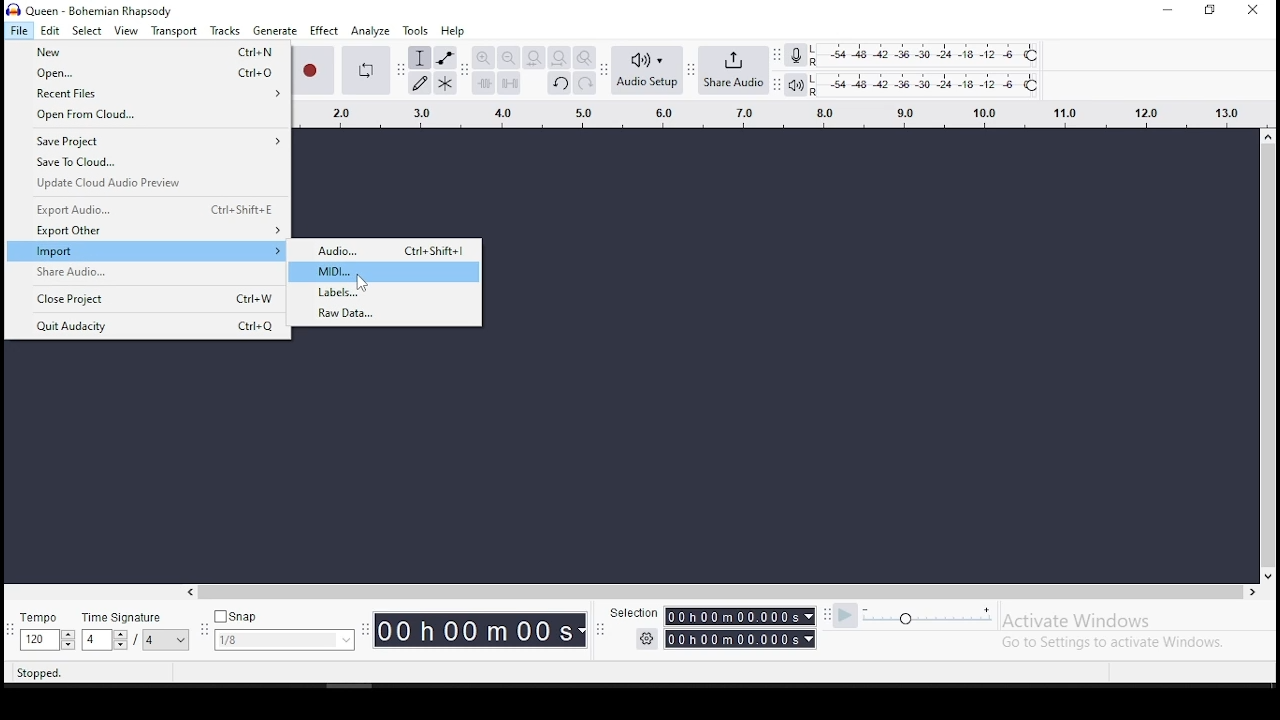 Image resolution: width=1280 pixels, height=720 pixels. I want to click on Labels, so click(387, 293).